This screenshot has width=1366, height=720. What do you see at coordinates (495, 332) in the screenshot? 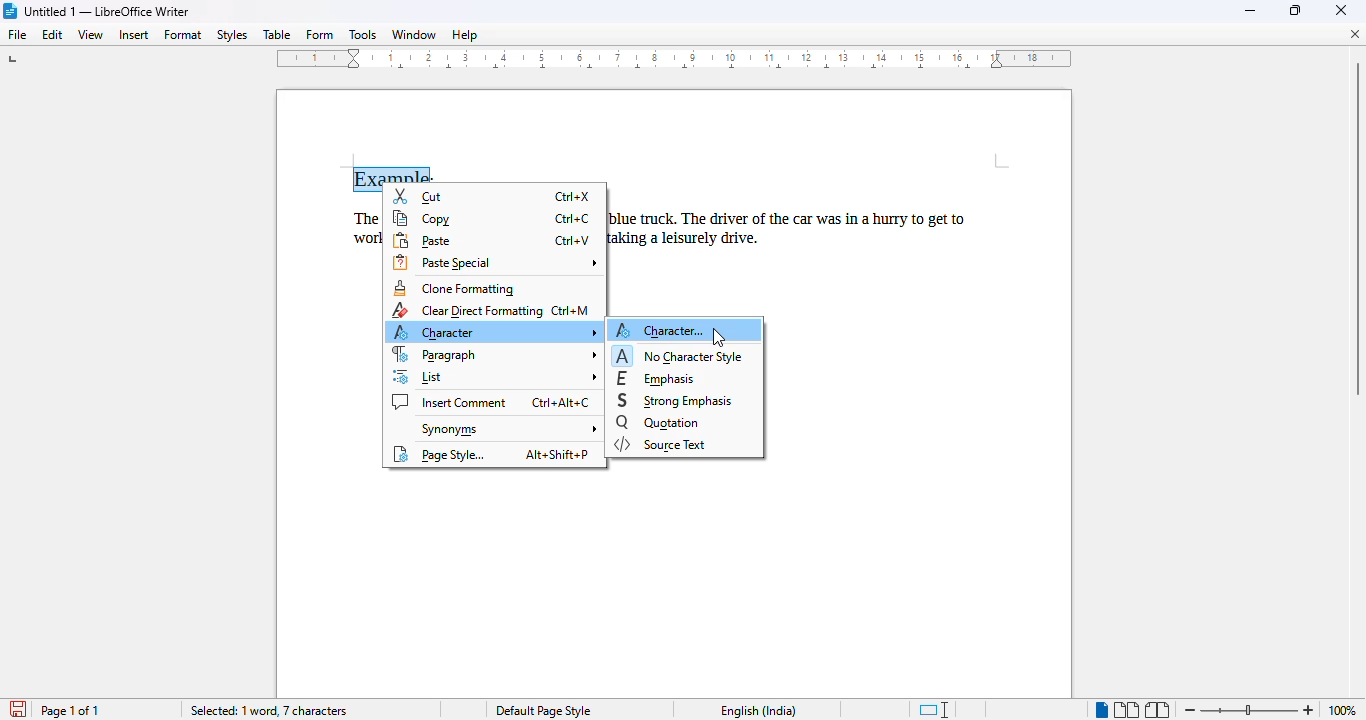
I see `character` at bounding box center [495, 332].